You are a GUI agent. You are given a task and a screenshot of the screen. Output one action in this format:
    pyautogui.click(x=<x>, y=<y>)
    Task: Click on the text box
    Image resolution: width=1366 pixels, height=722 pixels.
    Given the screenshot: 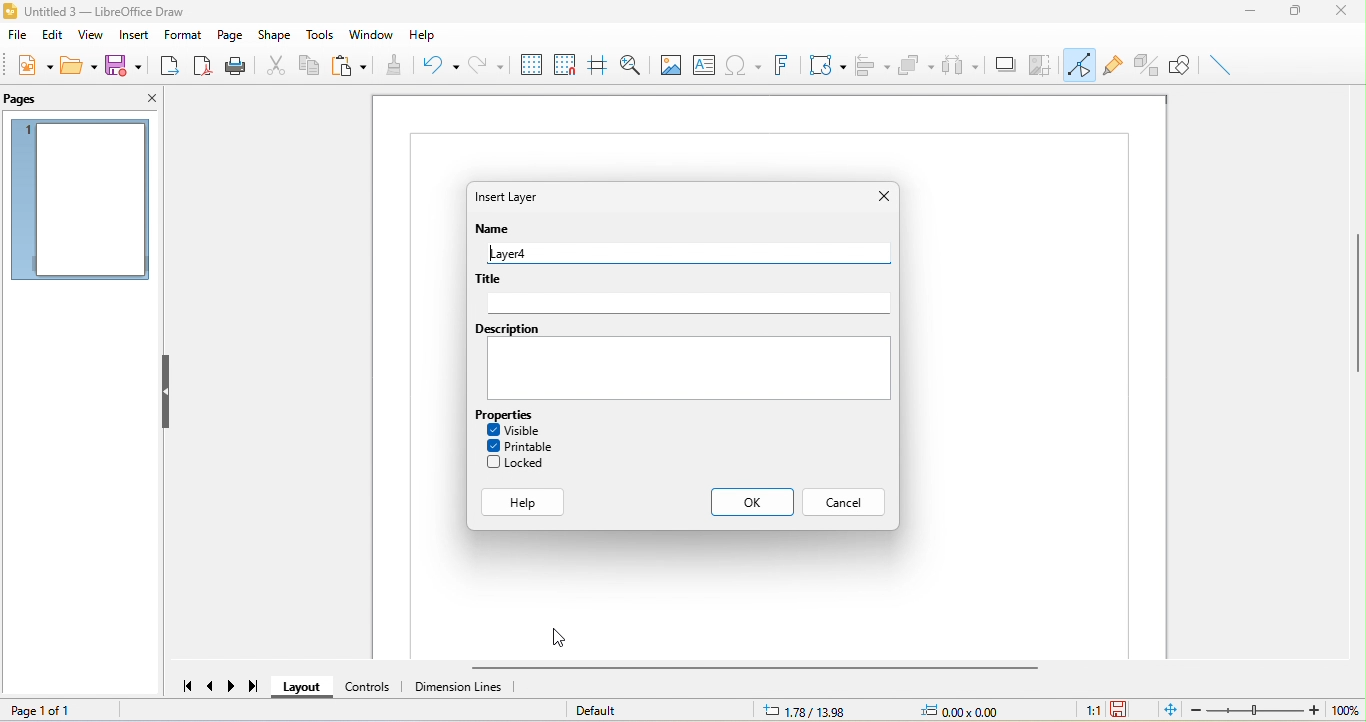 What is the action you would take?
    pyautogui.click(x=702, y=65)
    